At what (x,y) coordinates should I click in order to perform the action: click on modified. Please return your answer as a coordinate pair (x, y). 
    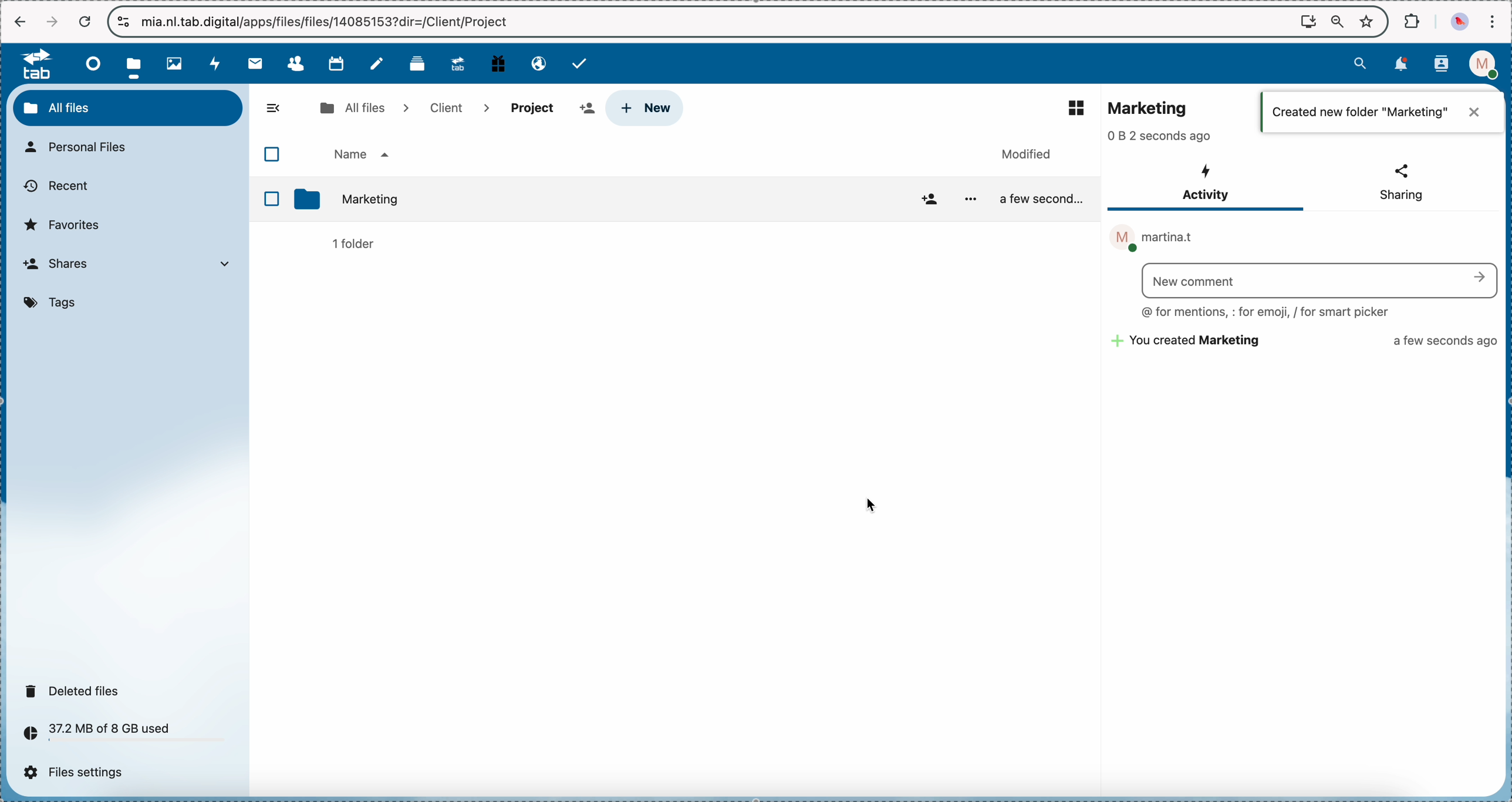
    Looking at the image, I should click on (1025, 154).